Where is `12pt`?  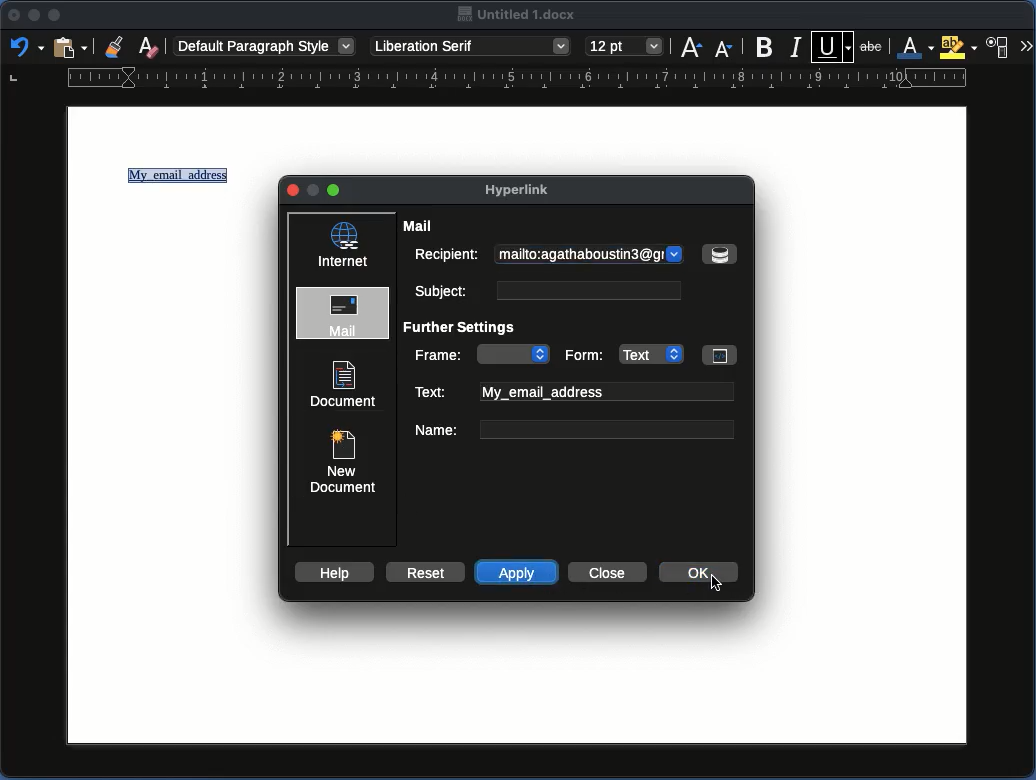 12pt is located at coordinates (625, 45).